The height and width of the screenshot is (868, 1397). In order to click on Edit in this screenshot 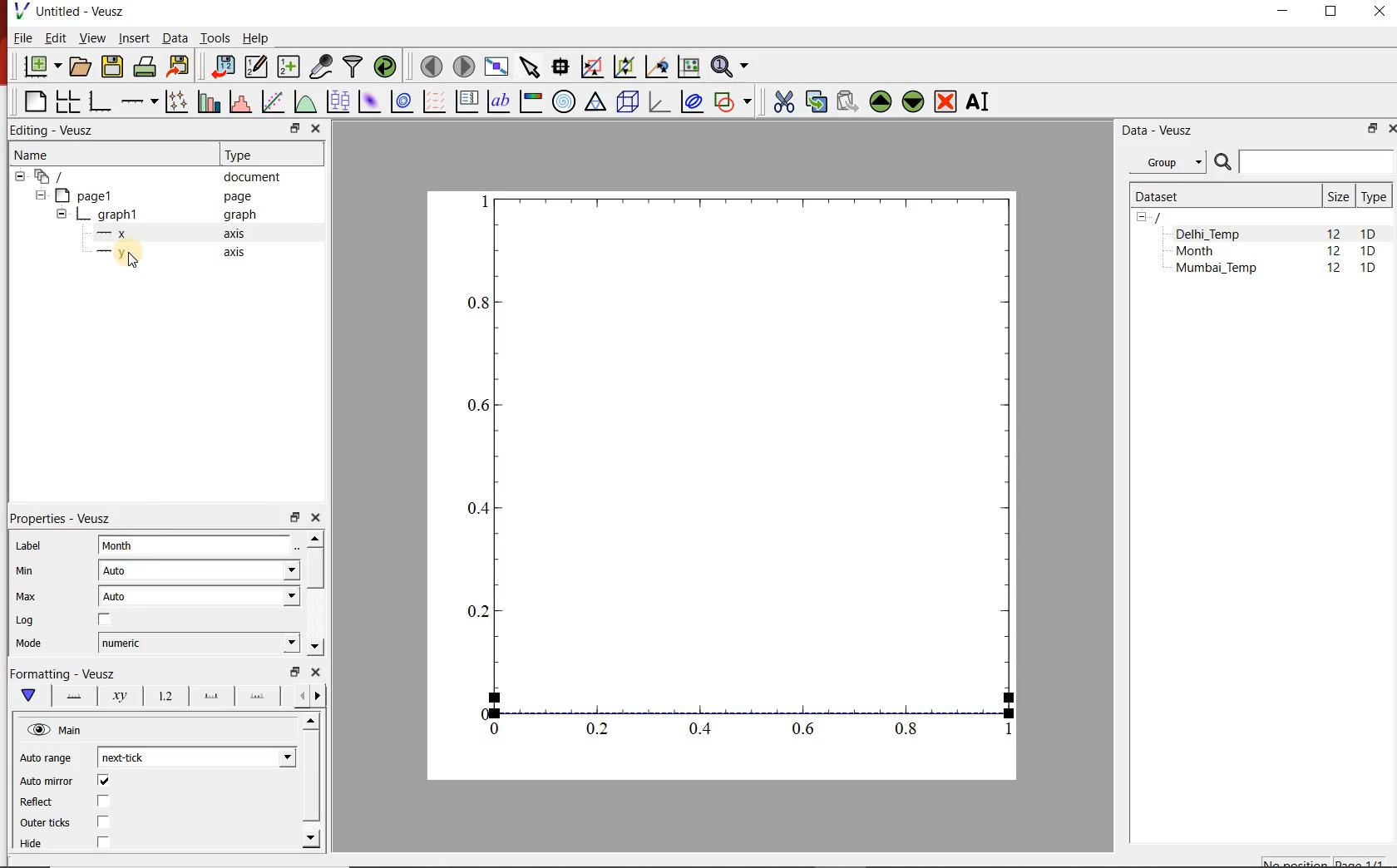, I will do `click(54, 37)`.